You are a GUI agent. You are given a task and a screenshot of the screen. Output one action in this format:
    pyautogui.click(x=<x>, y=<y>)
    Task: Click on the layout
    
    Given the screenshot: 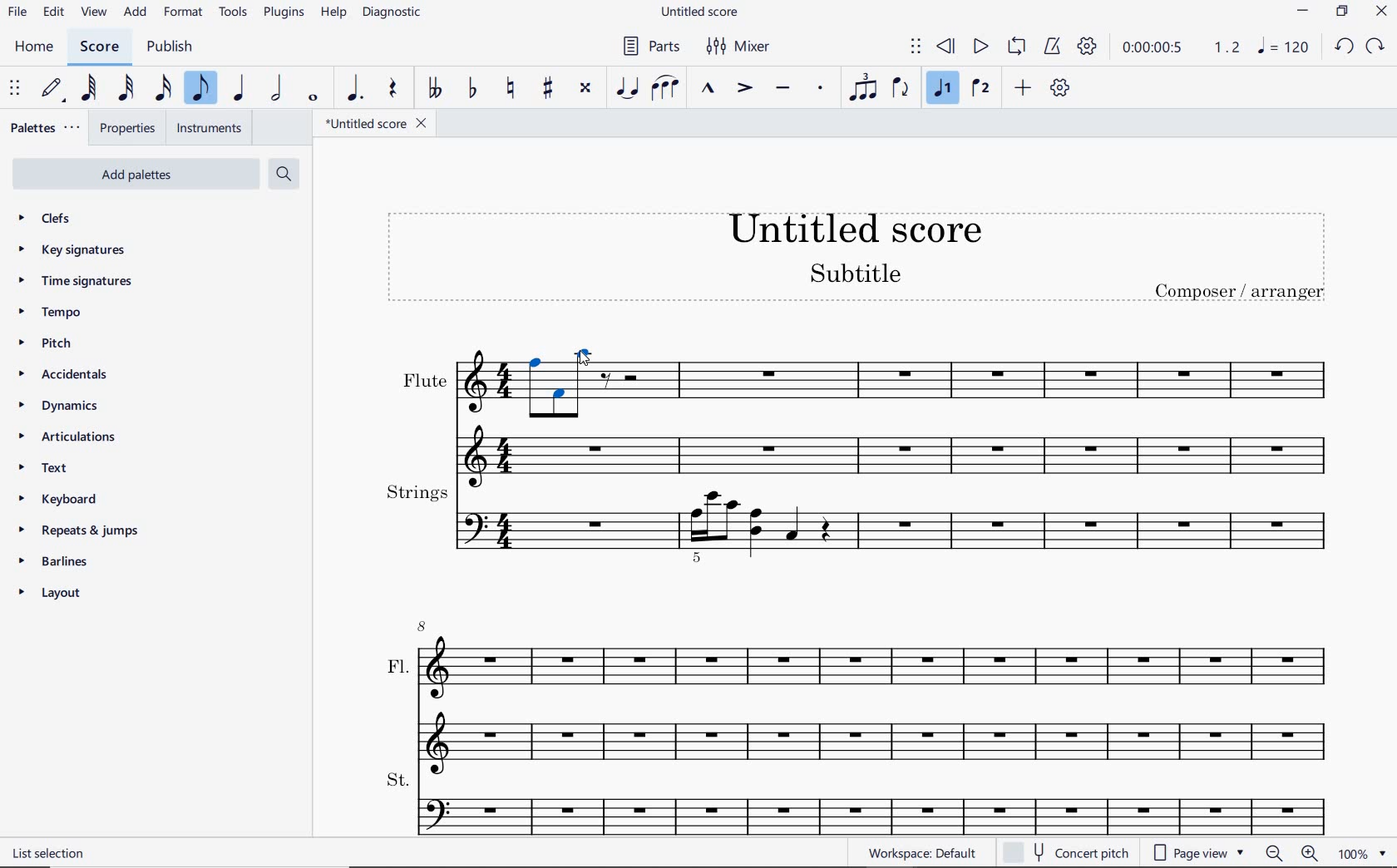 What is the action you would take?
    pyautogui.click(x=51, y=595)
    